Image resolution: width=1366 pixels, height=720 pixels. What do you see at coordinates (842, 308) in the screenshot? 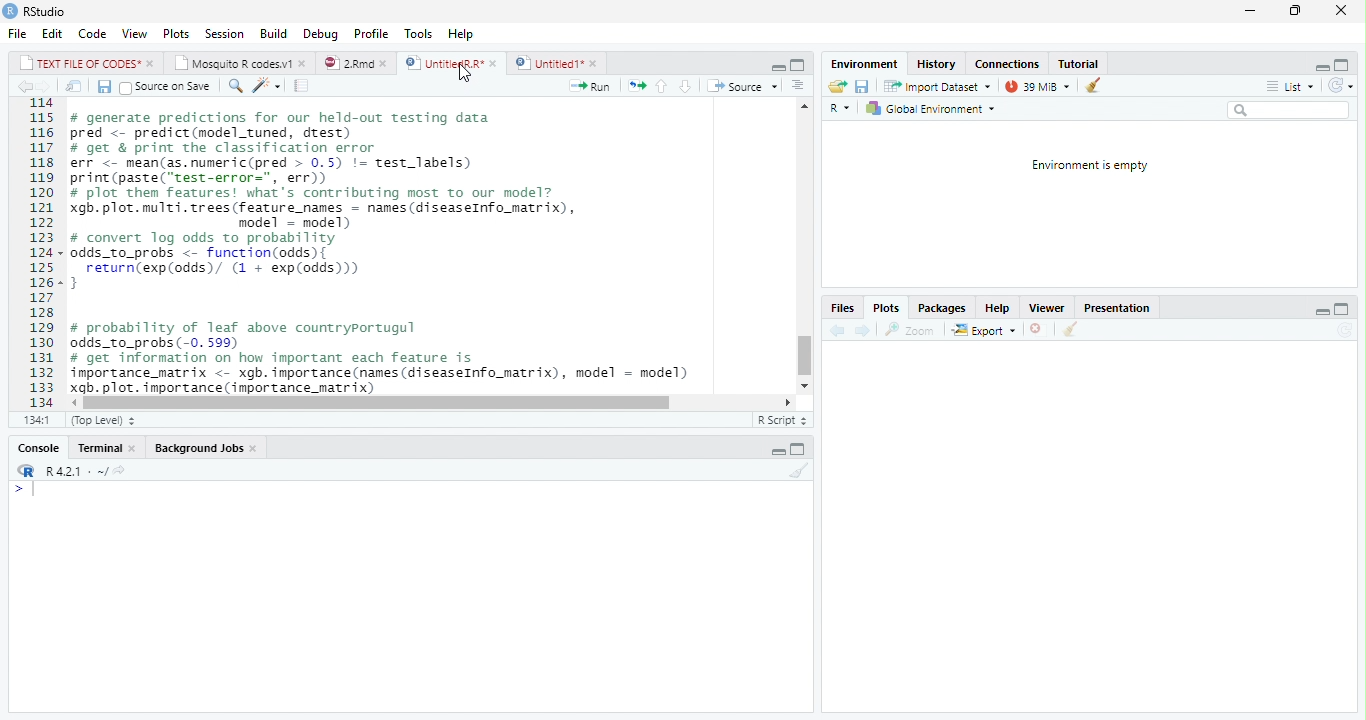
I see `Files` at bounding box center [842, 308].